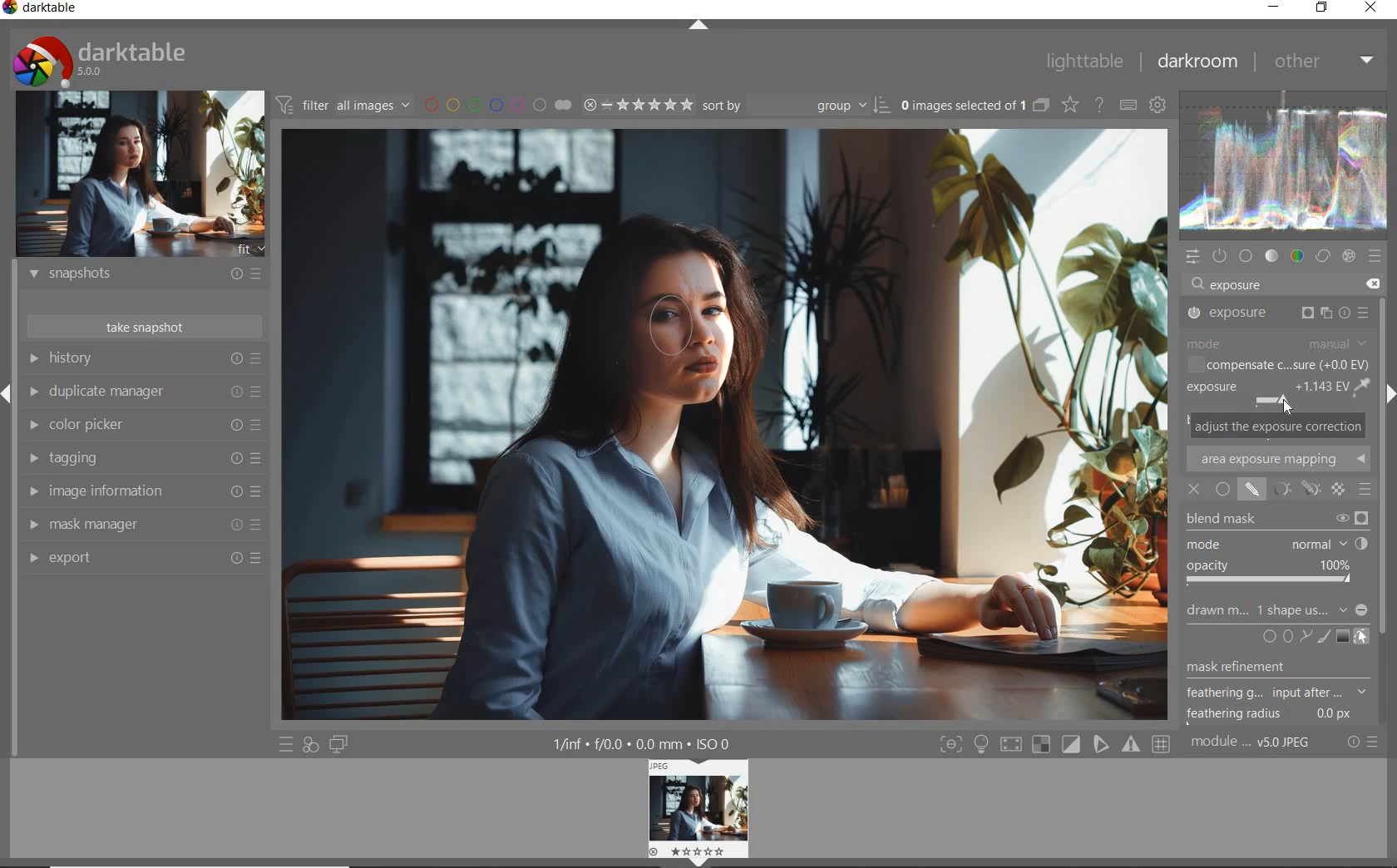 The width and height of the screenshot is (1397, 868). What do you see at coordinates (498, 105) in the screenshot?
I see `filter by image color` at bounding box center [498, 105].